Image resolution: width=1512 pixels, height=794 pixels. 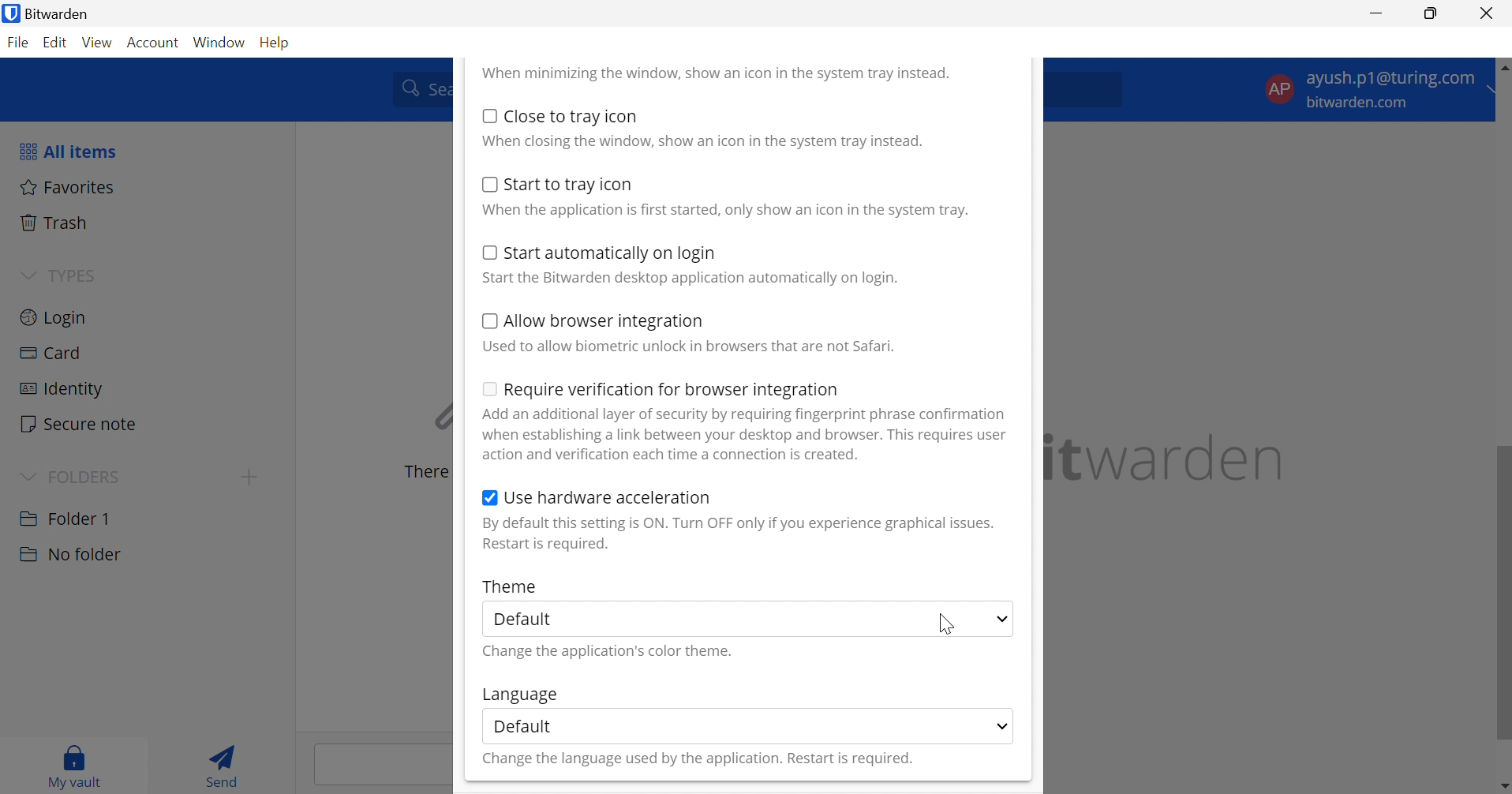 I want to click on Card, so click(x=53, y=354).